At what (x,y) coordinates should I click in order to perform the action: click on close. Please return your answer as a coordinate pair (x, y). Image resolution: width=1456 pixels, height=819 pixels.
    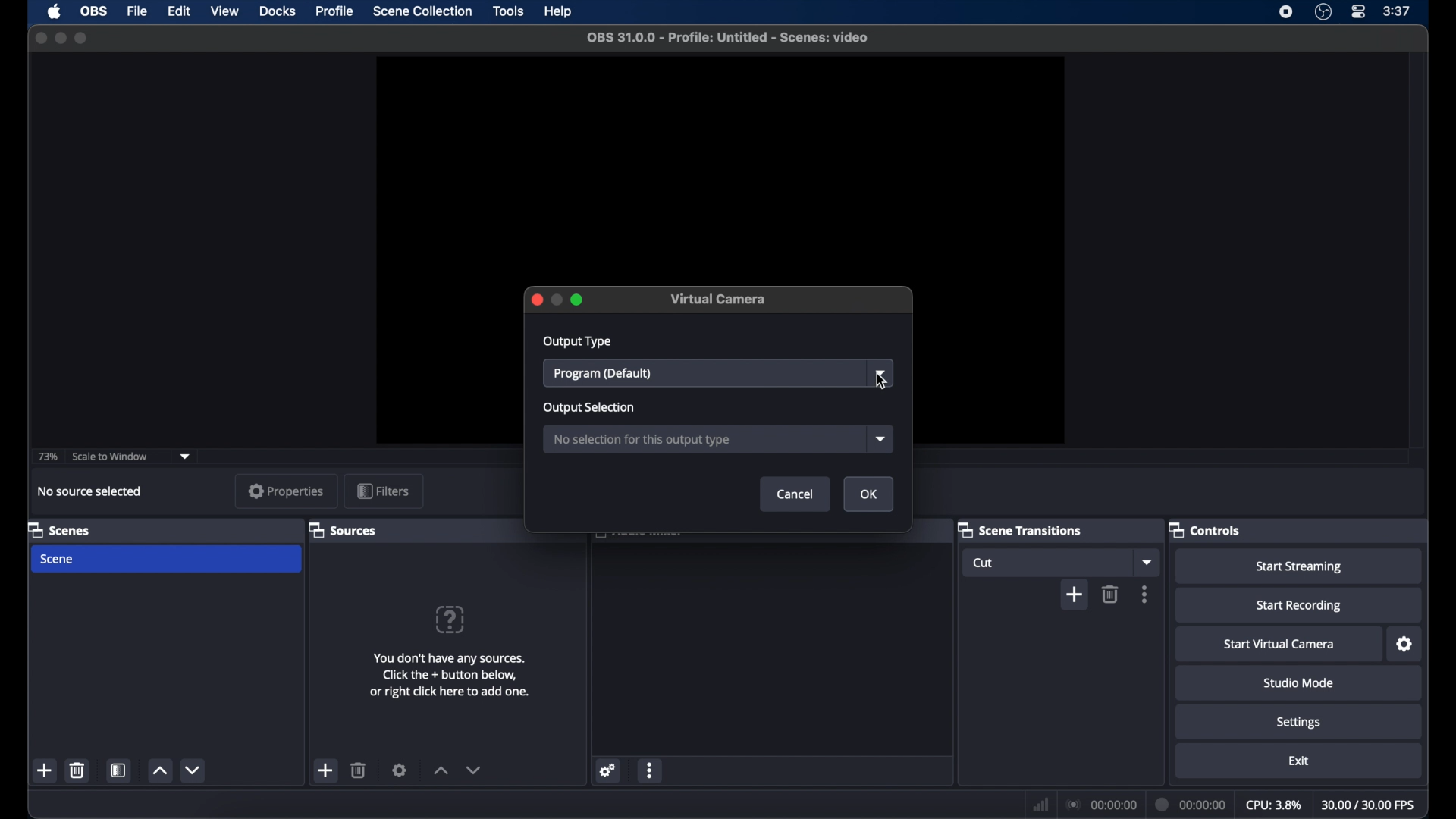
    Looking at the image, I should click on (40, 38).